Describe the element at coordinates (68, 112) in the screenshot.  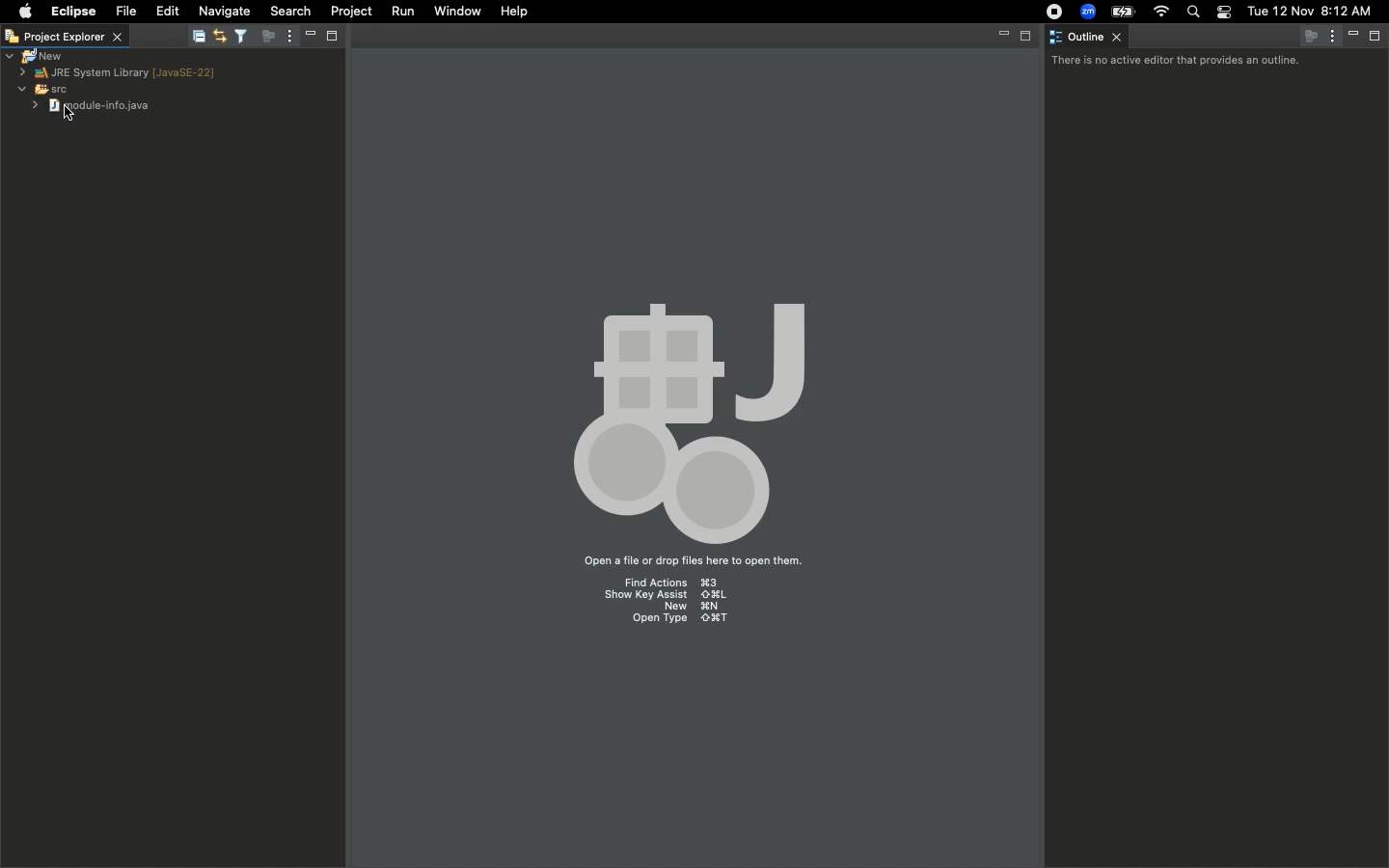
I see `cursor` at that location.